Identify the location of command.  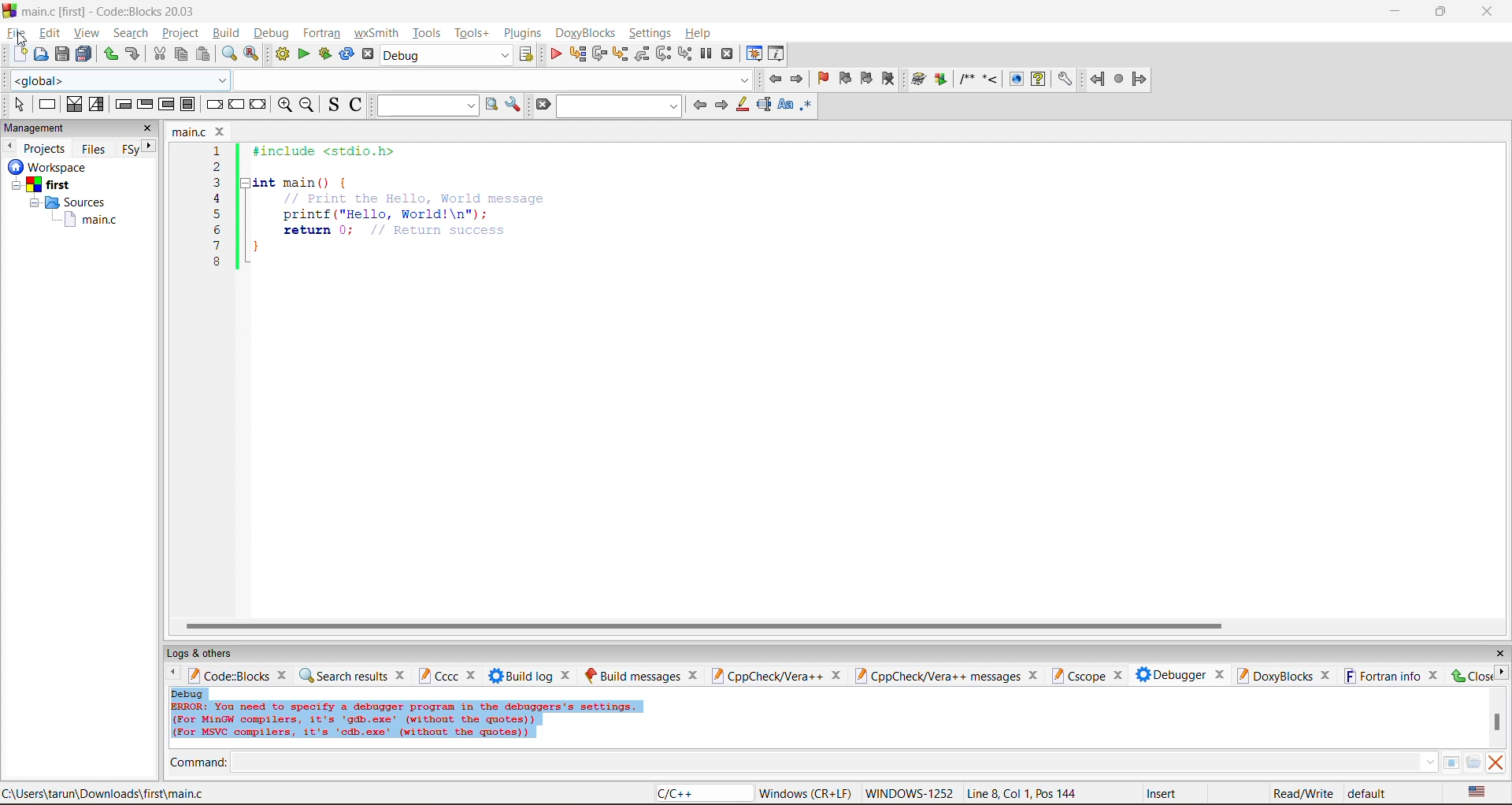
(198, 764).